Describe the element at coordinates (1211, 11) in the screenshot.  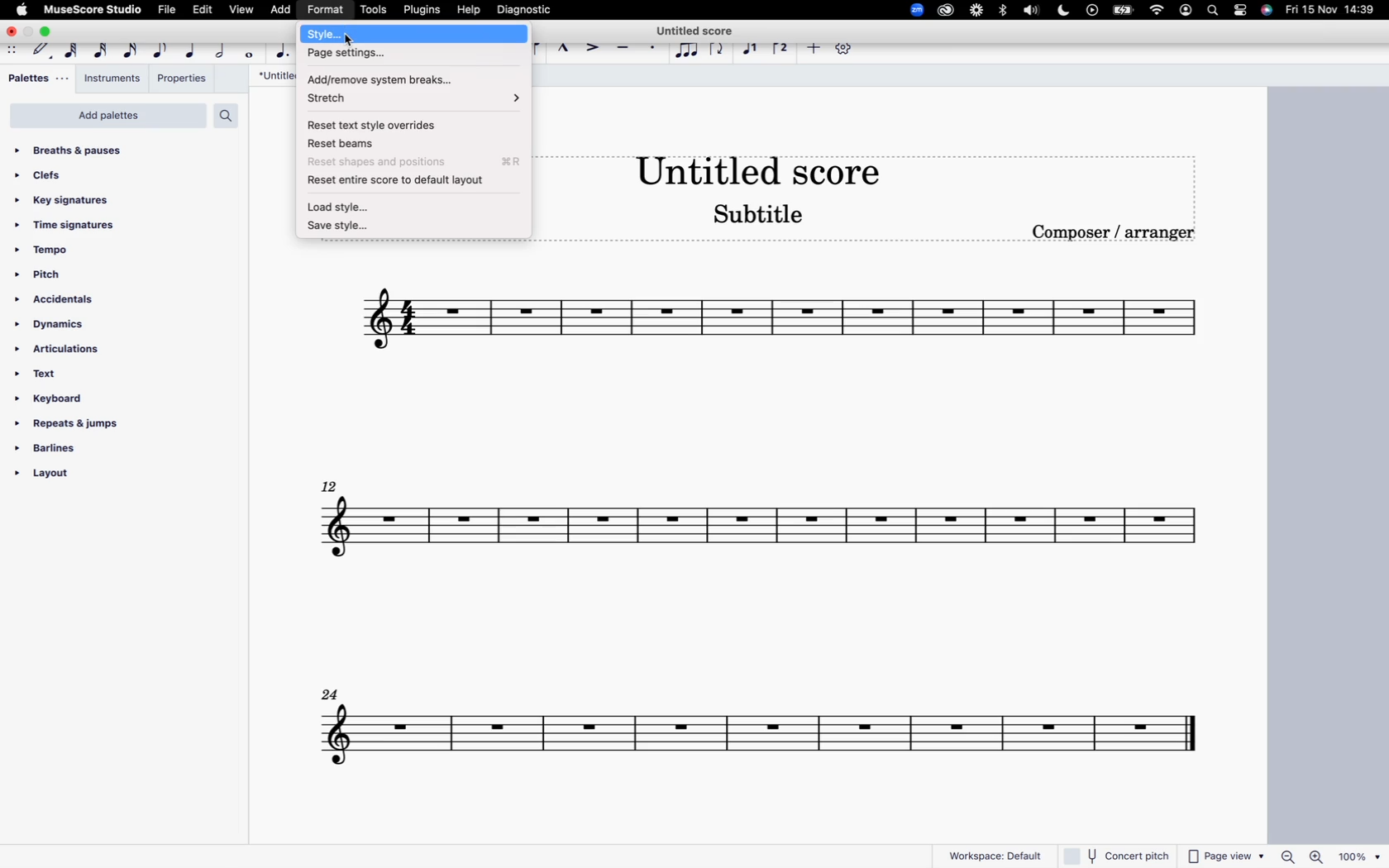
I see `seach` at that location.